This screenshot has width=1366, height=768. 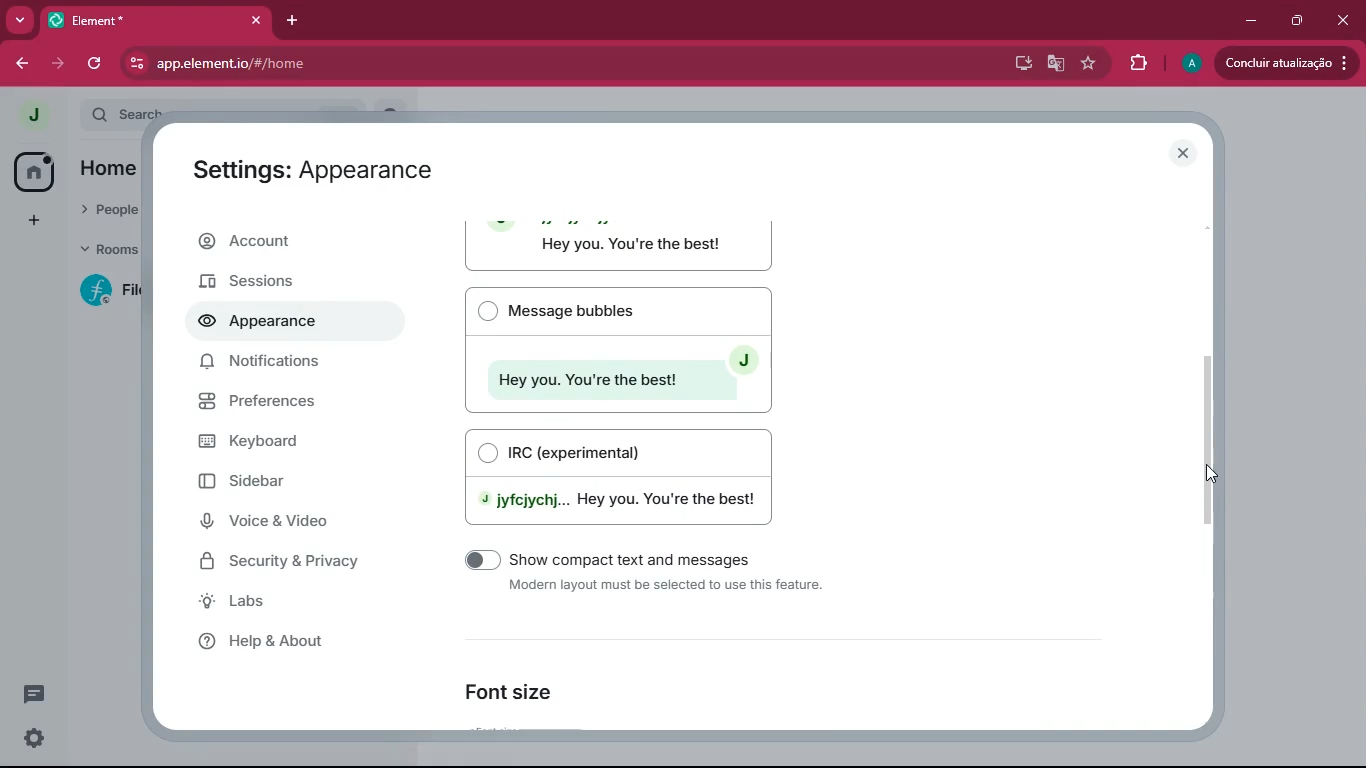 I want to click on search, so click(x=127, y=114).